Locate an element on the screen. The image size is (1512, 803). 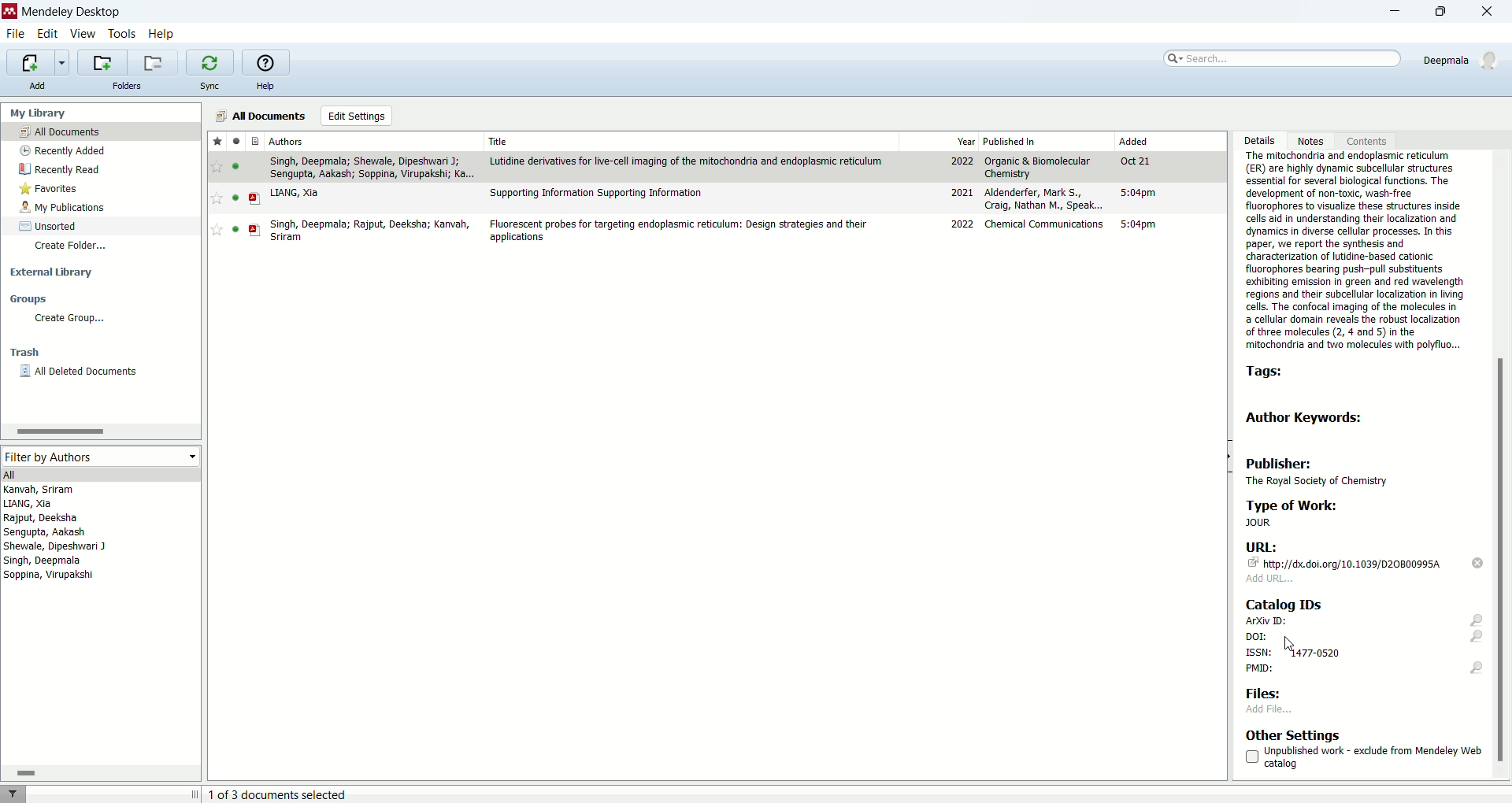
shewale, dipeshwari J is located at coordinates (55, 546).